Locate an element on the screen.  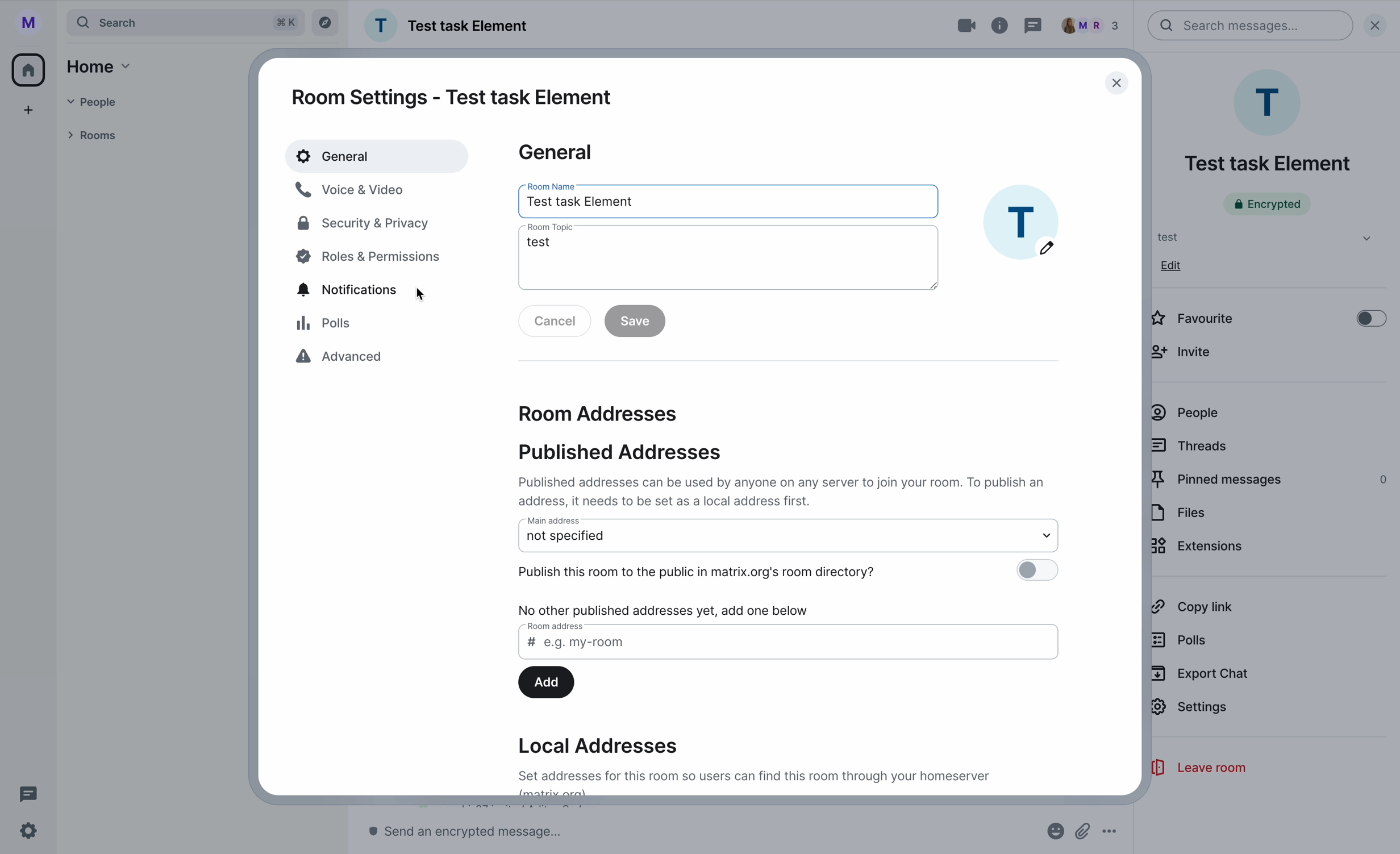
name room is located at coordinates (1267, 164).